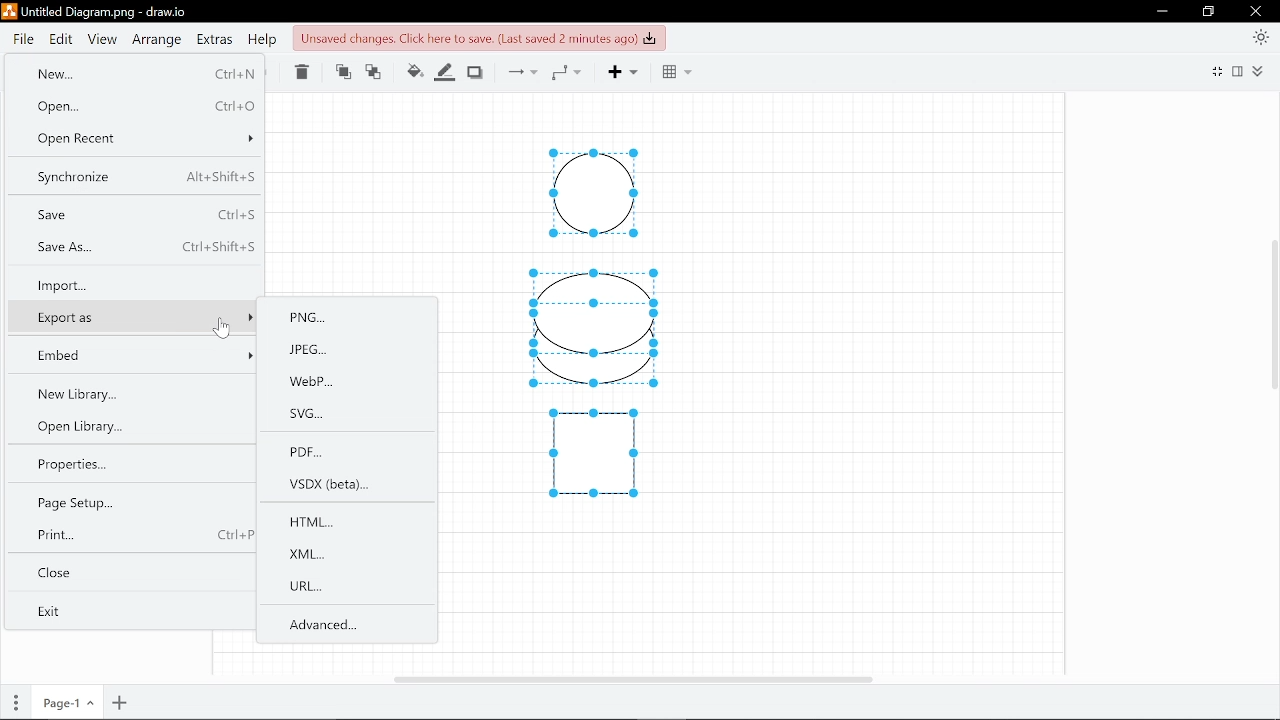 The height and width of the screenshot is (720, 1280). What do you see at coordinates (344, 415) in the screenshot?
I see `SVG` at bounding box center [344, 415].